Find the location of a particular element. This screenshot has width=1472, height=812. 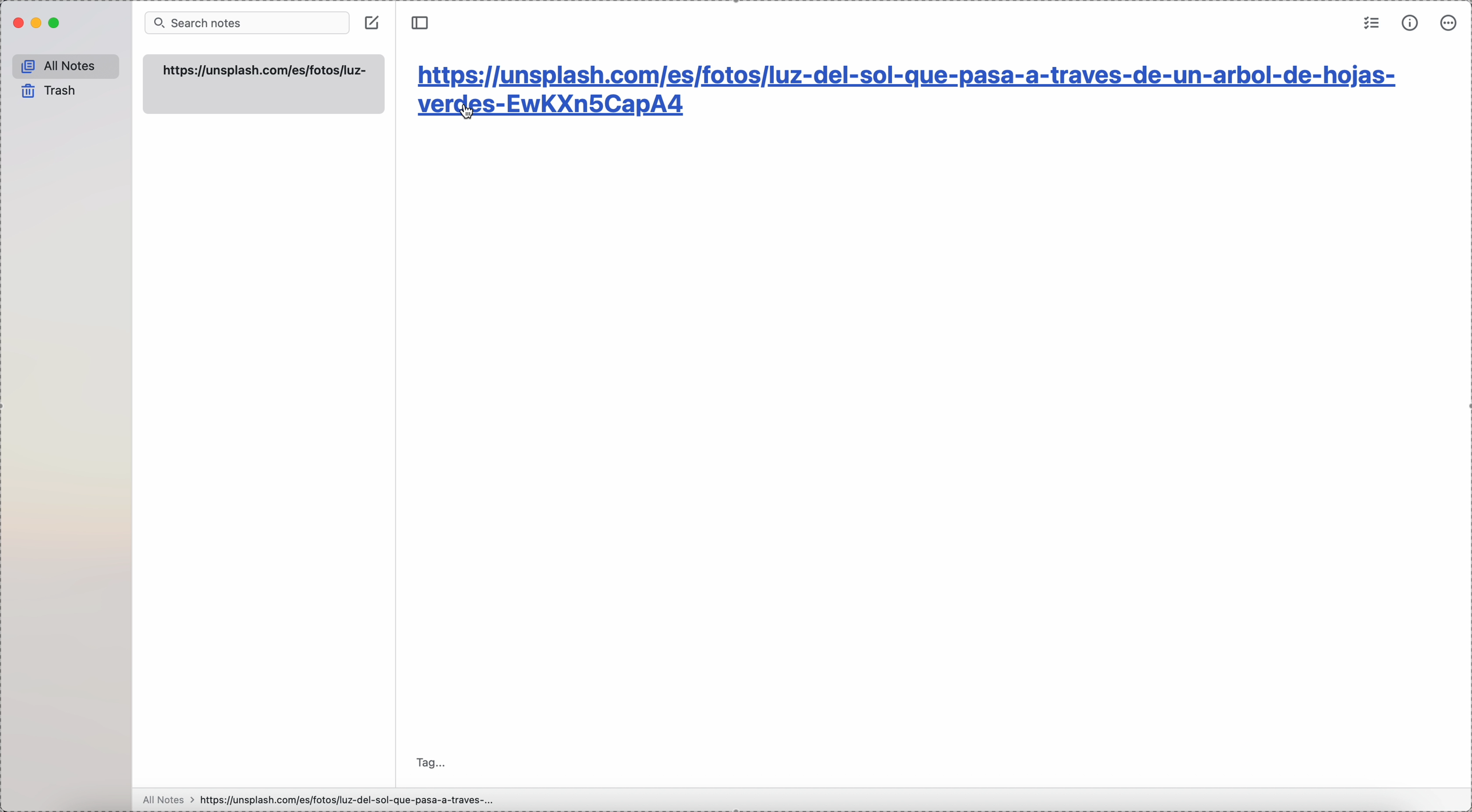

metrics is located at coordinates (1411, 23).